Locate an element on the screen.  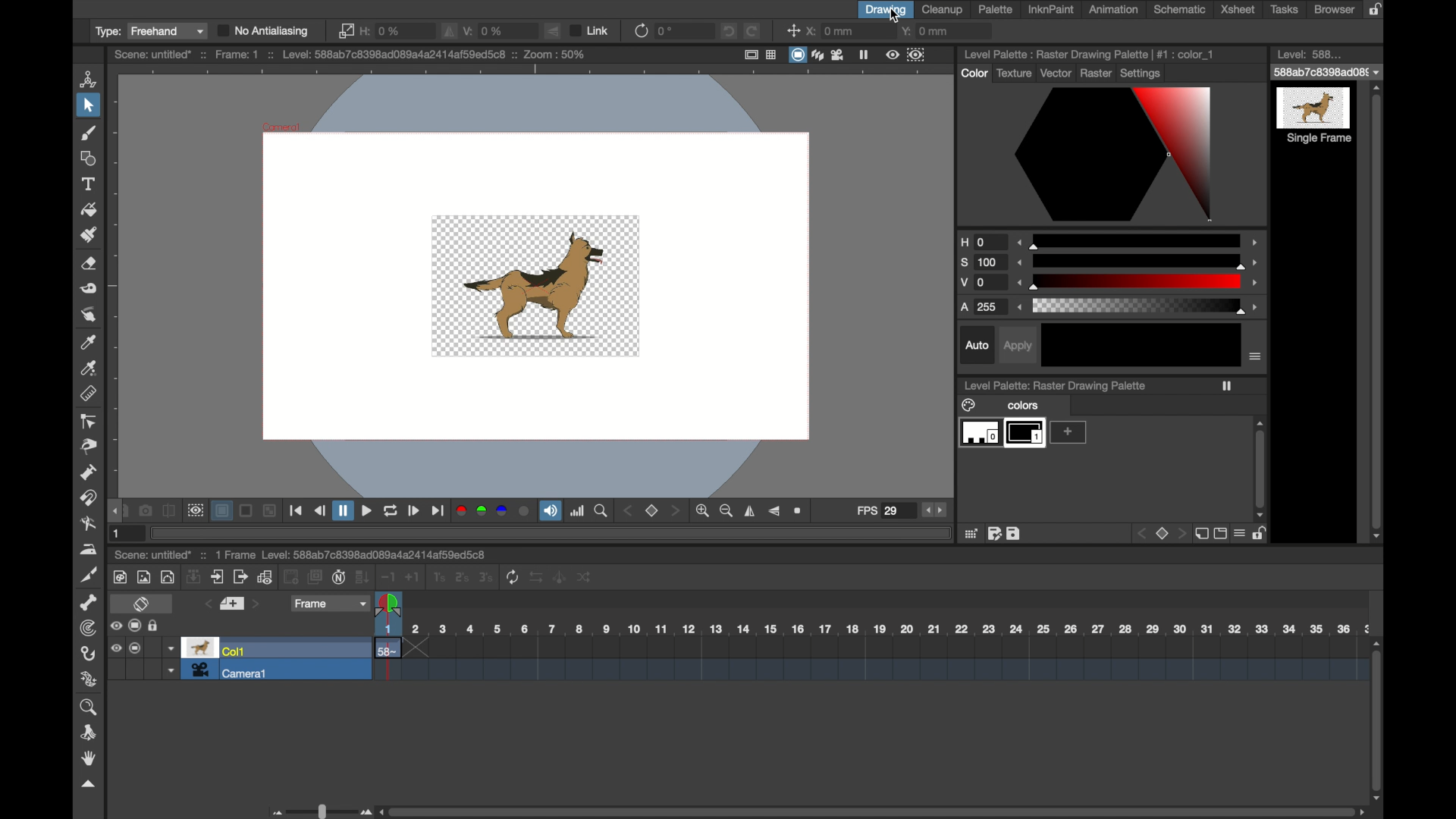
rgb color picker tool is located at coordinates (91, 369).